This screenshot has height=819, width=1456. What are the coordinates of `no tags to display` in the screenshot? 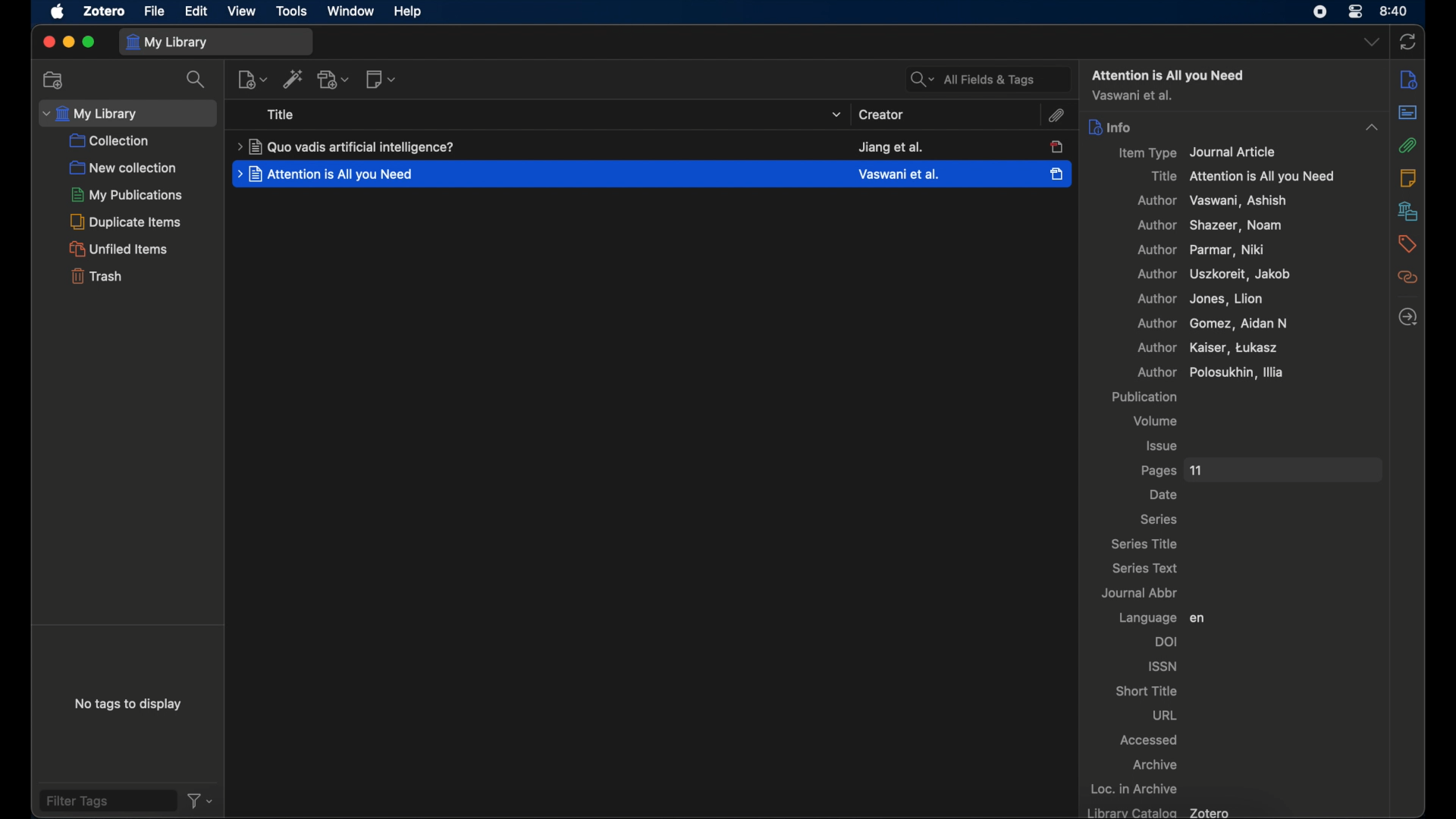 It's located at (130, 704).